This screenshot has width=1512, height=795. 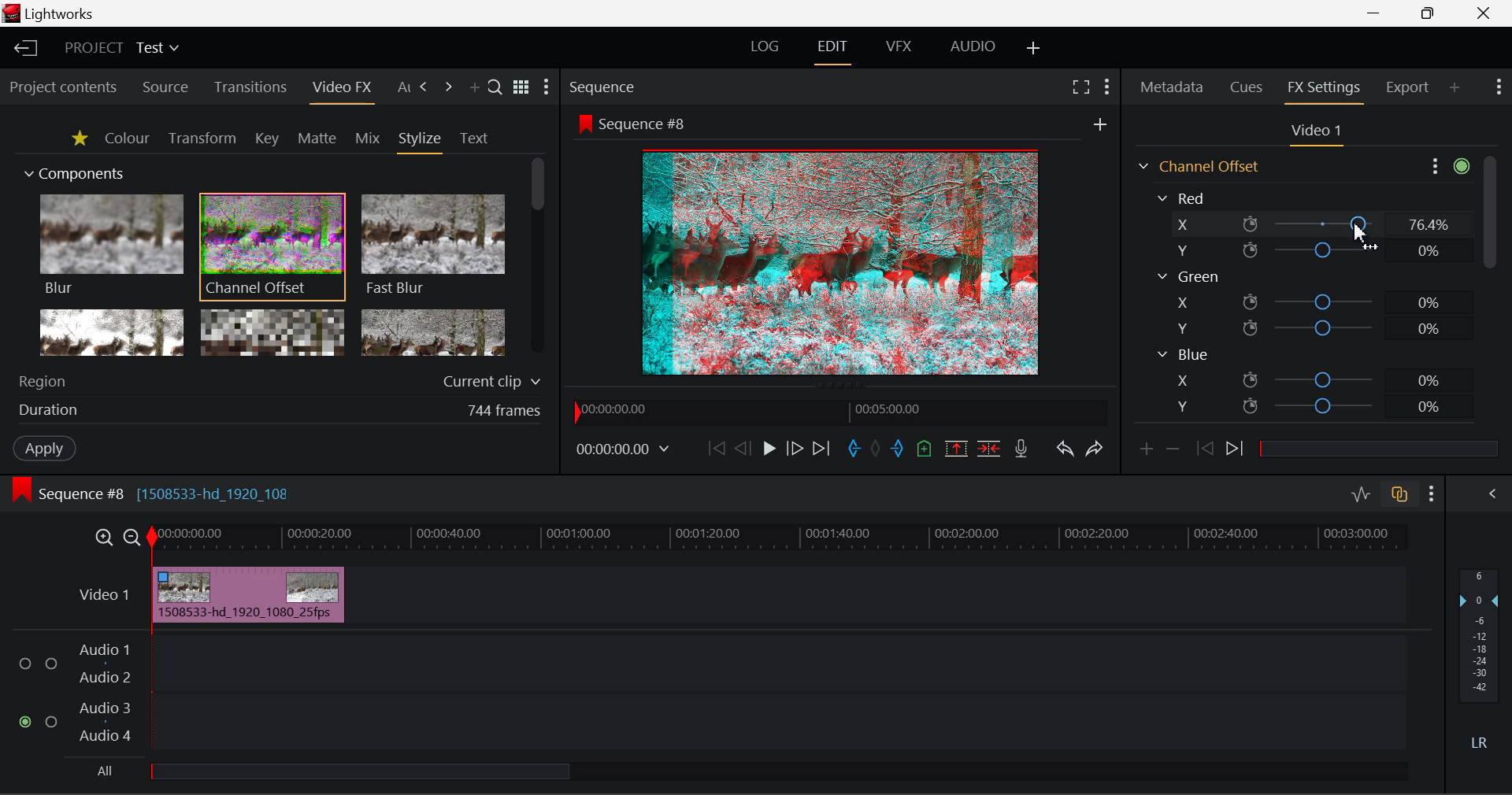 What do you see at coordinates (708, 694) in the screenshot?
I see `Audio Input Field` at bounding box center [708, 694].